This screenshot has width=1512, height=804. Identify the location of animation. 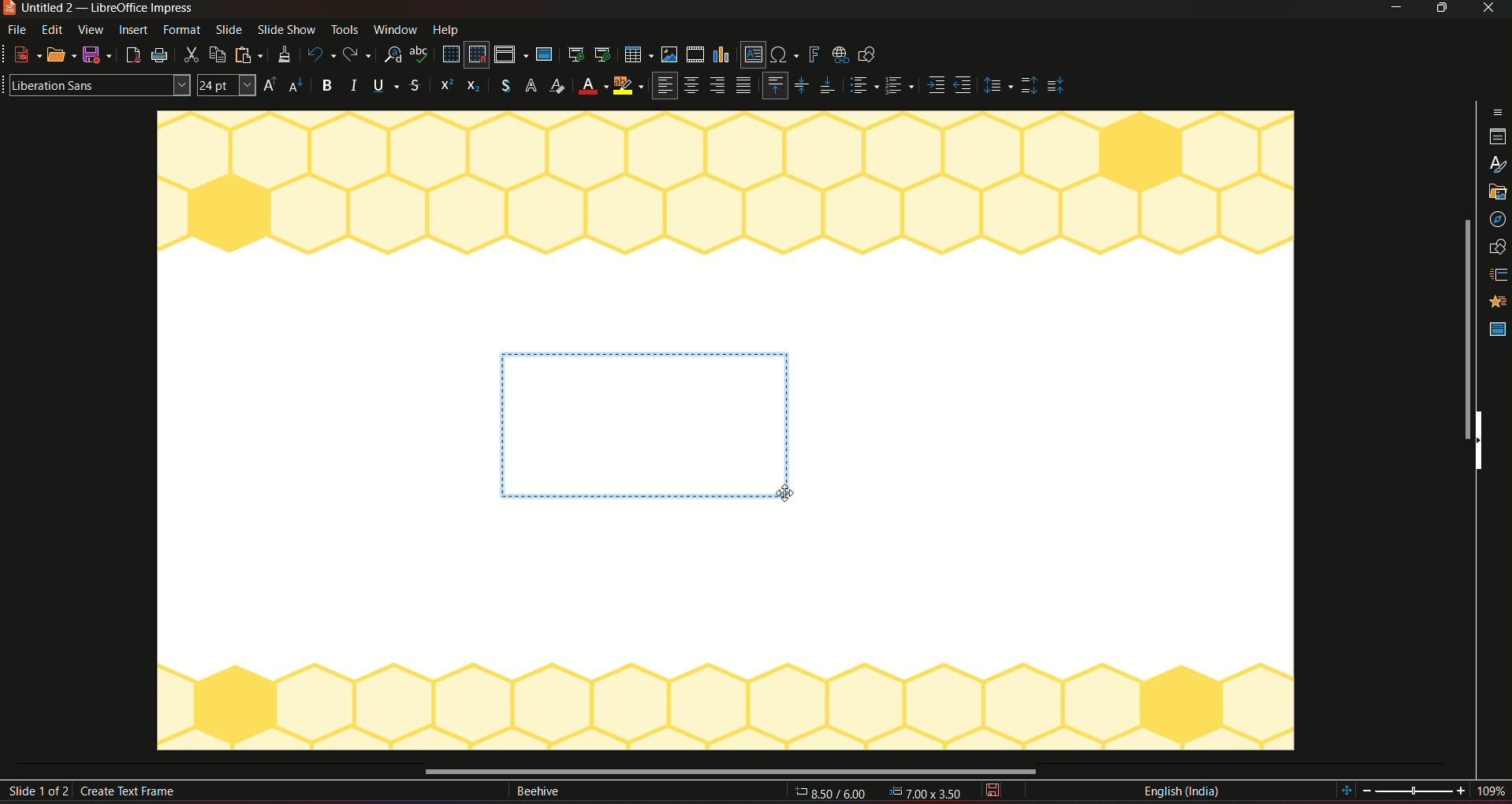
(1497, 270).